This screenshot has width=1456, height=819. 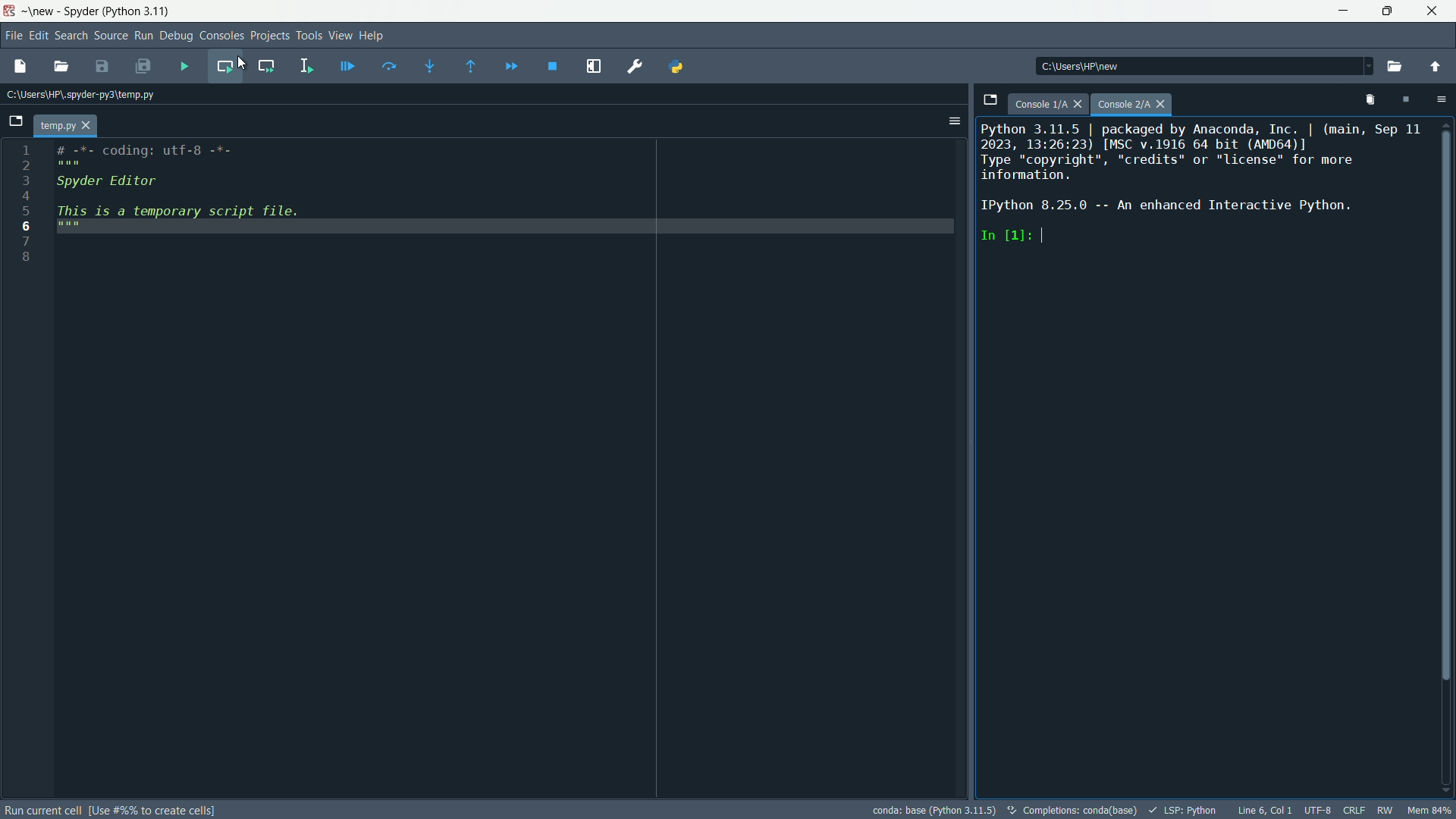 I want to click on encoding, so click(x=1319, y=810).